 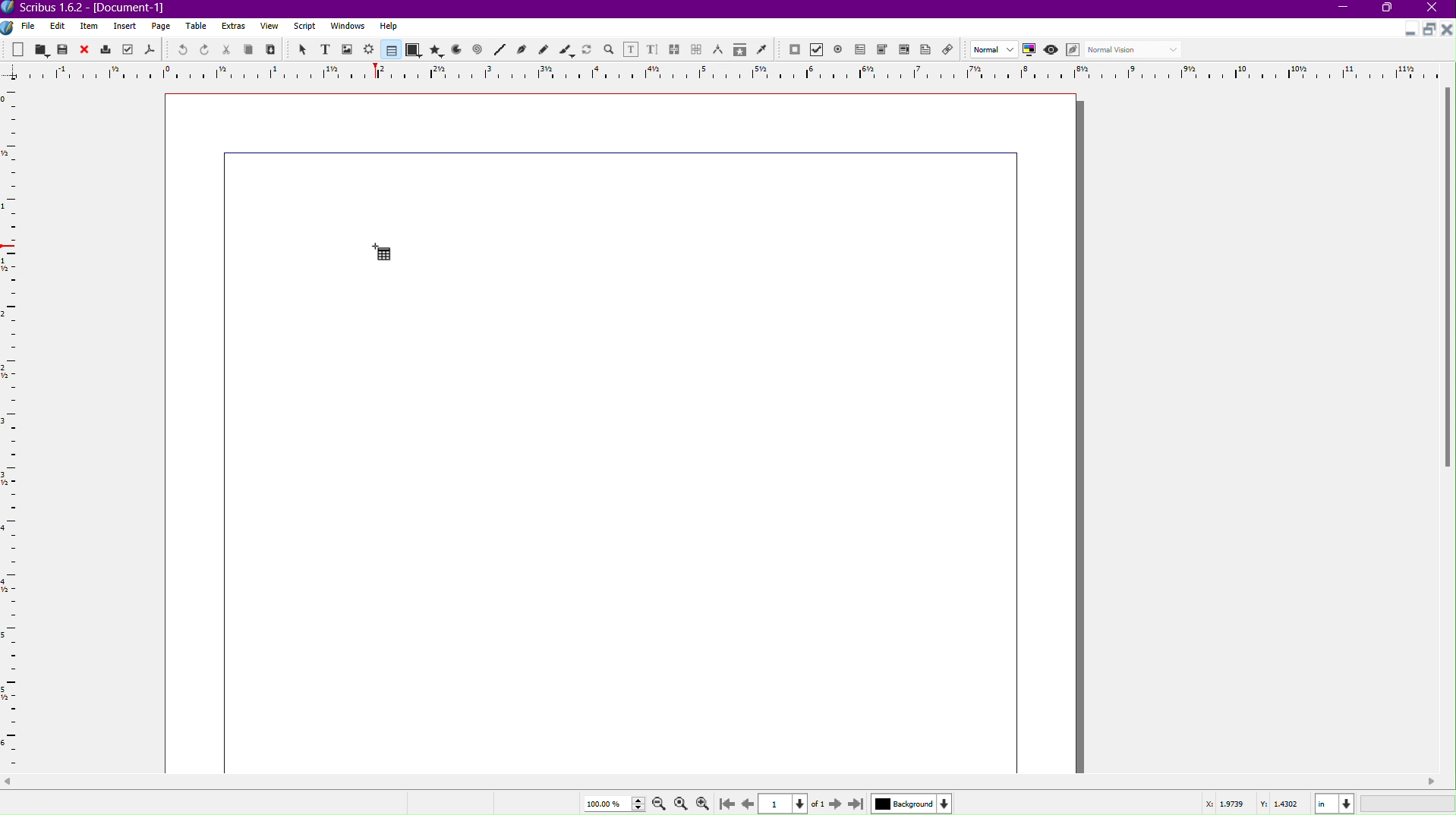 What do you see at coordinates (499, 50) in the screenshot?
I see `Line` at bounding box center [499, 50].